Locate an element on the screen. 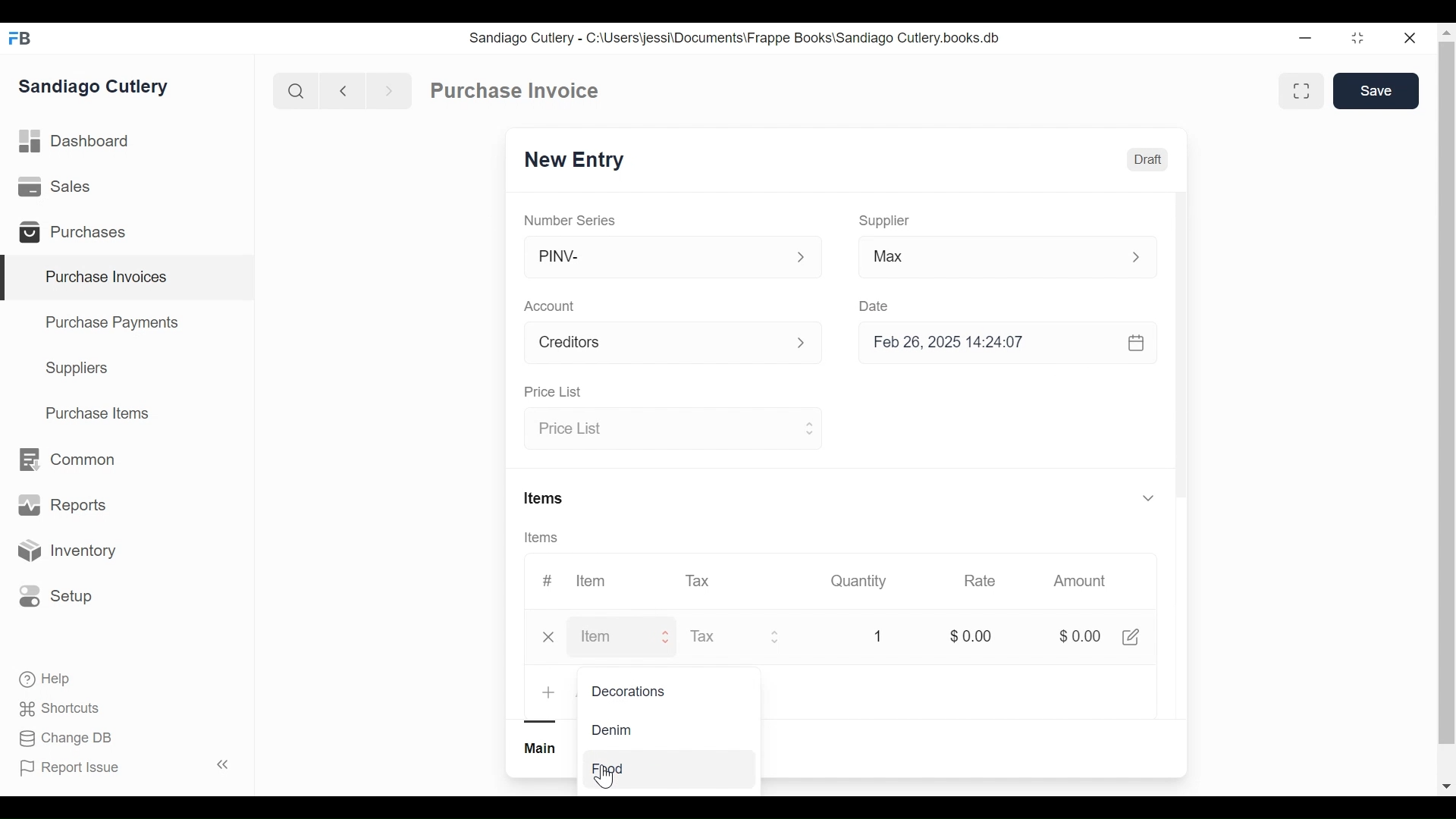 Image resolution: width=1456 pixels, height=819 pixels. Food is located at coordinates (623, 768).